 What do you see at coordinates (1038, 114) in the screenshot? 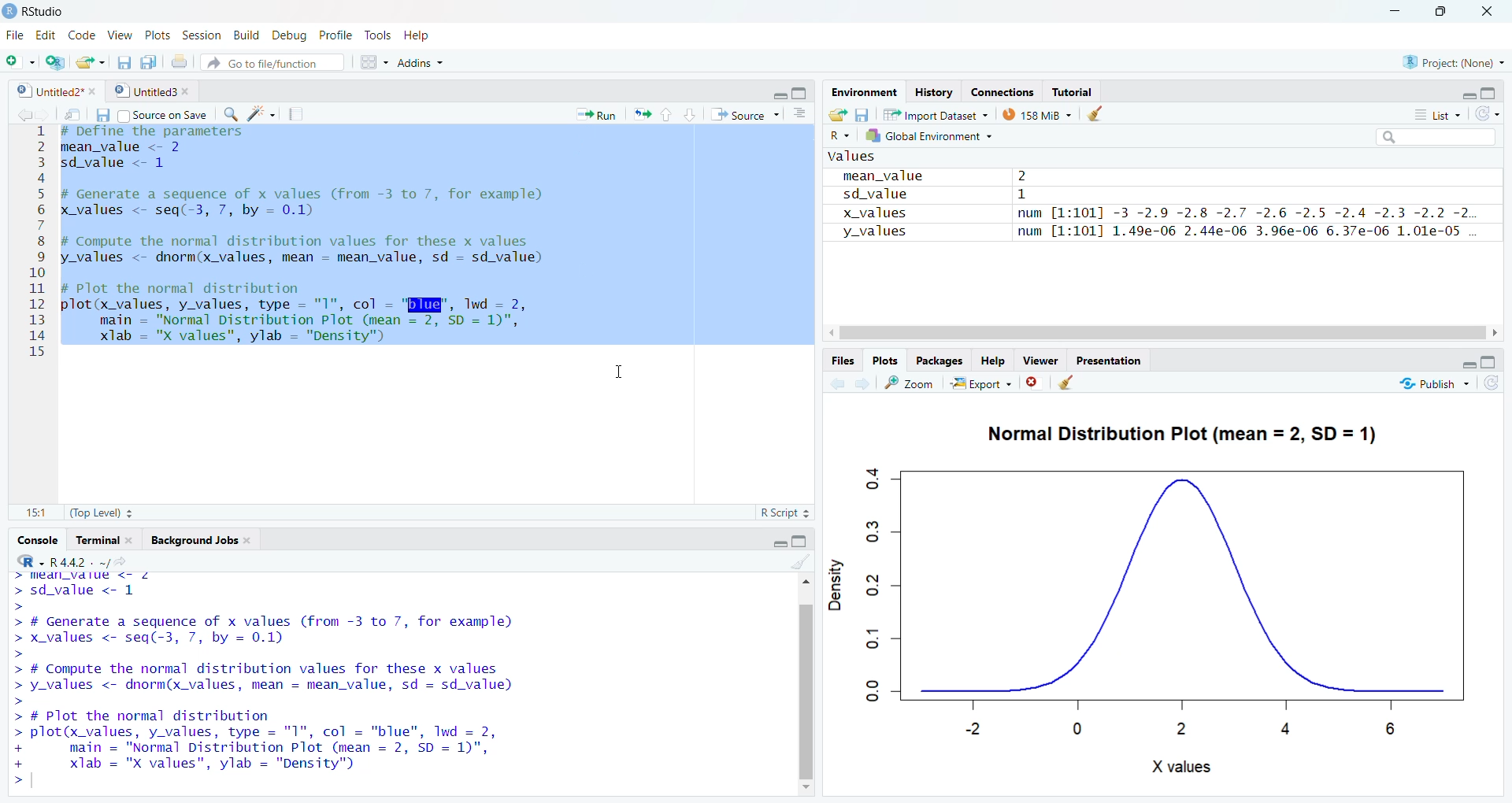
I see `» 158 MiB ` at bounding box center [1038, 114].